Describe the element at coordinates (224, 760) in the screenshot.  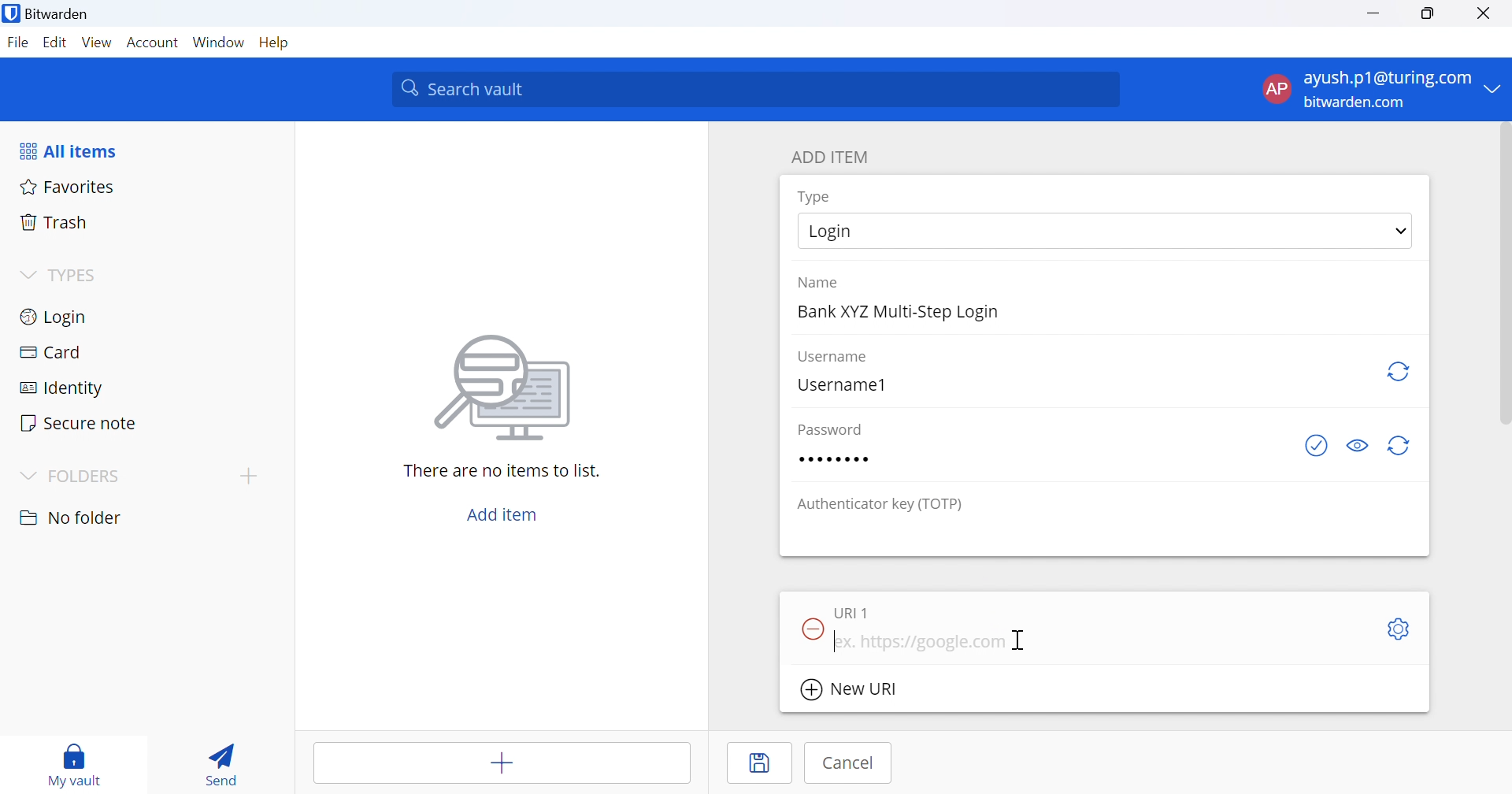
I see `Send` at that location.